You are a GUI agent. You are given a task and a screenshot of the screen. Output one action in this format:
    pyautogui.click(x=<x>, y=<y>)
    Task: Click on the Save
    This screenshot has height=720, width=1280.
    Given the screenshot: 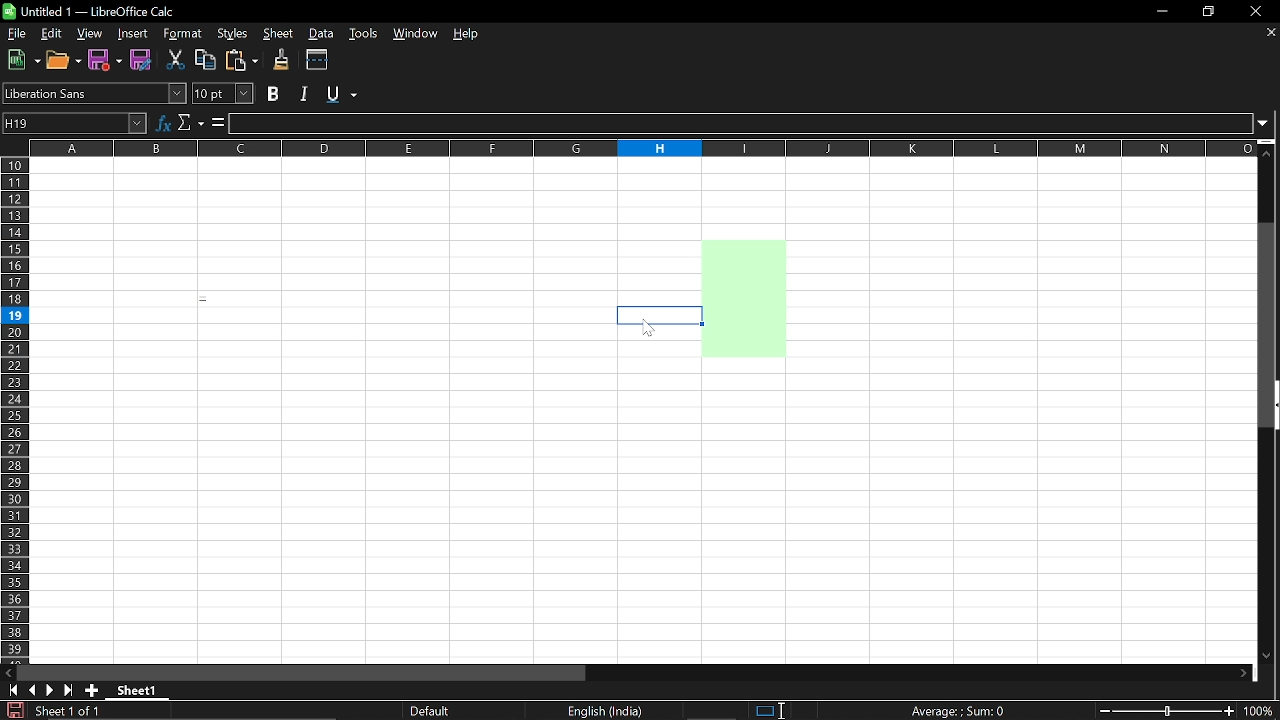 What is the action you would take?
    pyautogui.click(x=12, y=711)
    